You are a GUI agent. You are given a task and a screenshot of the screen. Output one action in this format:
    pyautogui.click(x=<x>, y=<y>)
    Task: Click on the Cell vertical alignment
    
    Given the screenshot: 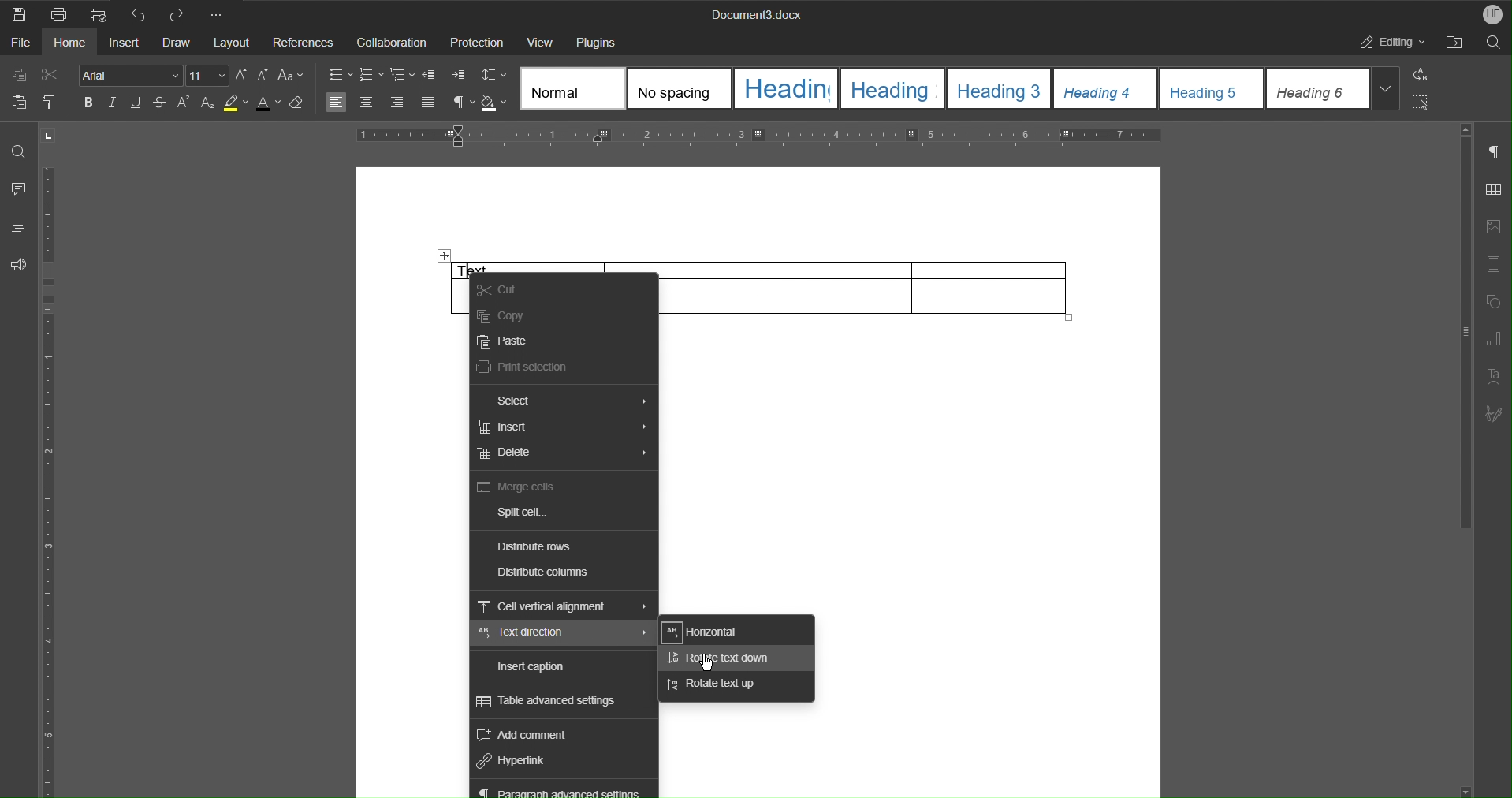 What is the action you would take?
    pyautogui.click(x=546, y=606)
    